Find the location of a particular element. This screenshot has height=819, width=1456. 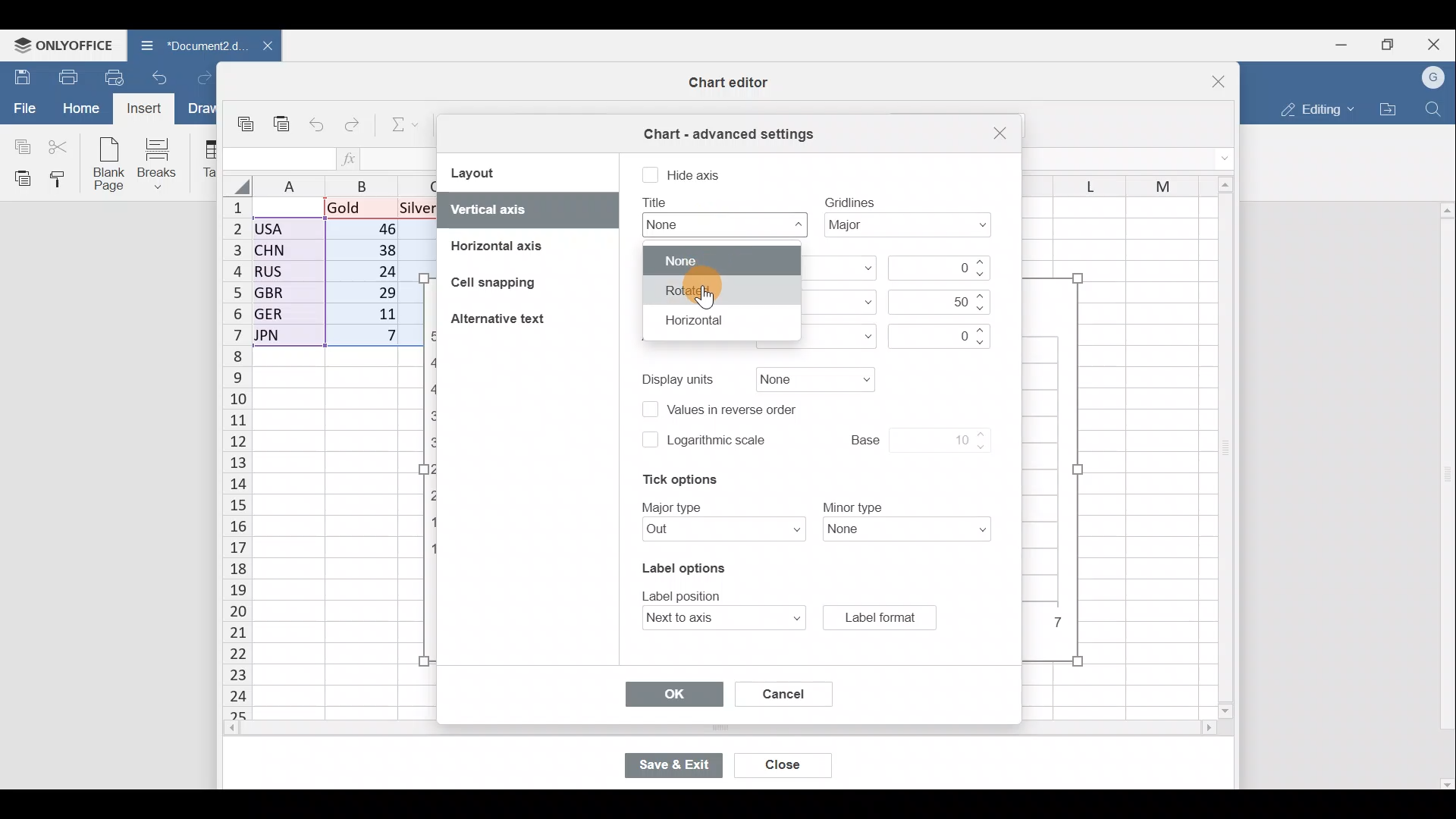

Columns is located at coordinates (337, 186).